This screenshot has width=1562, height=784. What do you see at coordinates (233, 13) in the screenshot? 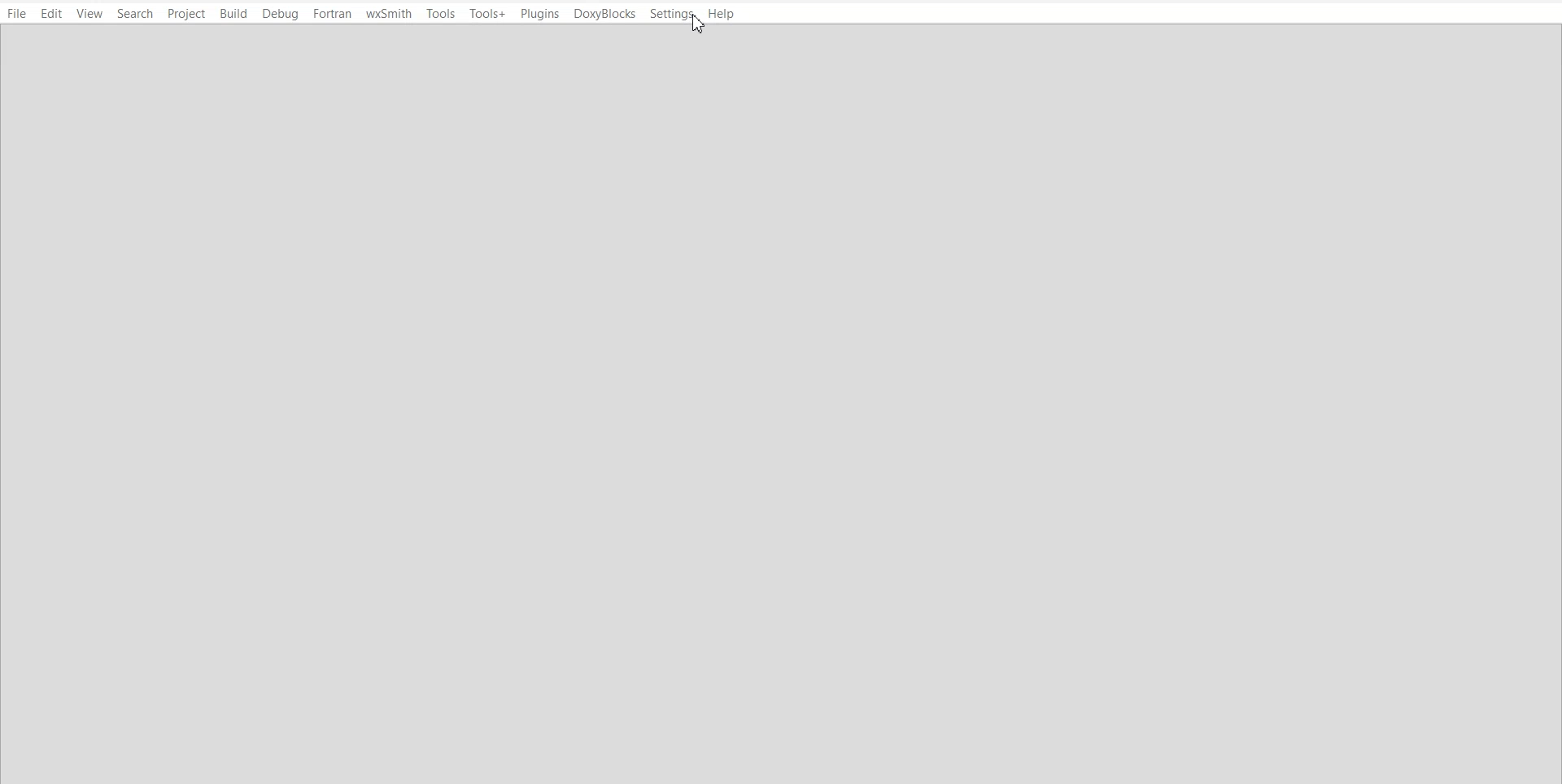
I see `Build` at bounding box center [233, 13].